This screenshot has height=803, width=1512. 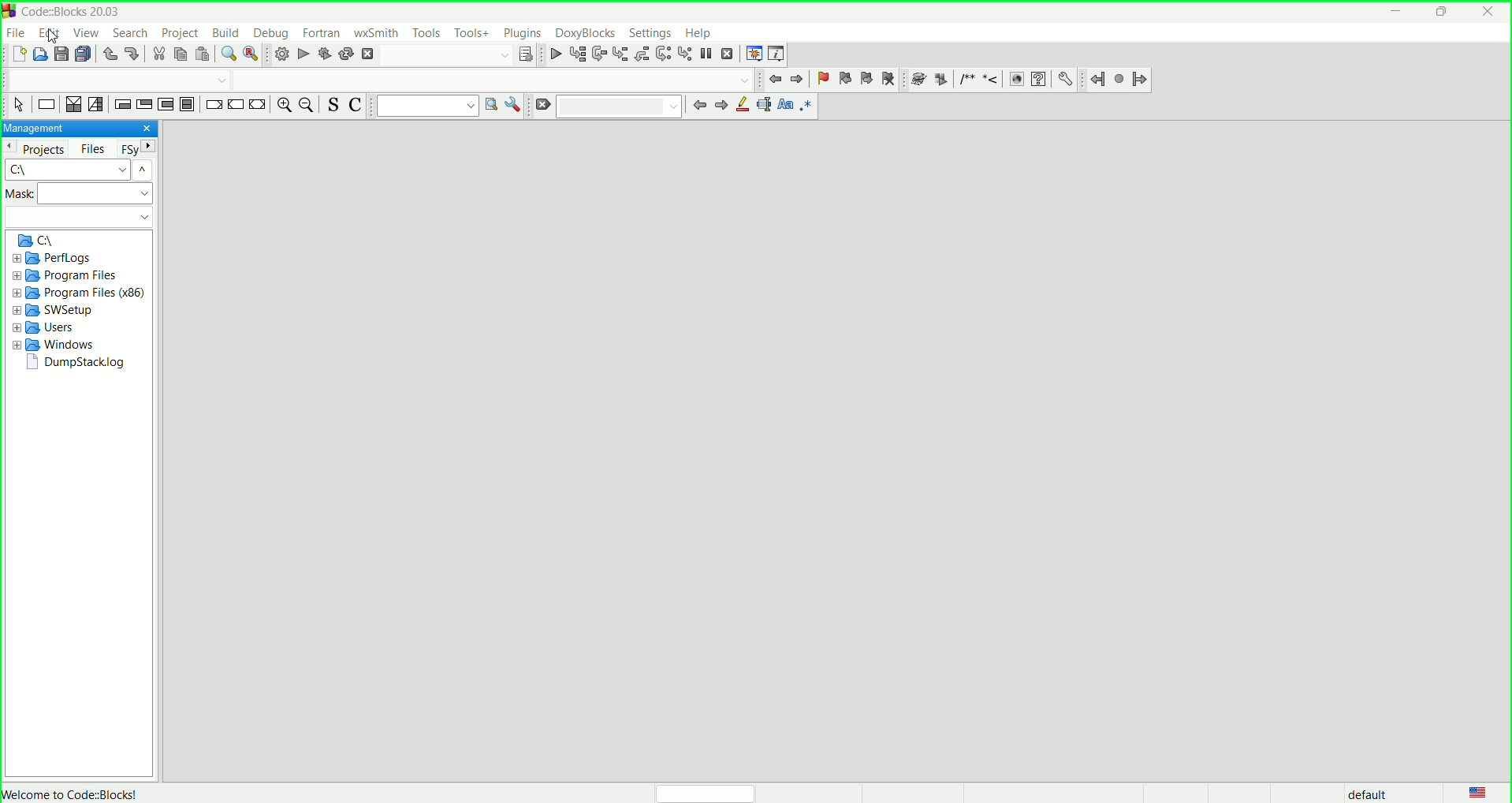 I want to click on text to search, so click(x=427, y=106).